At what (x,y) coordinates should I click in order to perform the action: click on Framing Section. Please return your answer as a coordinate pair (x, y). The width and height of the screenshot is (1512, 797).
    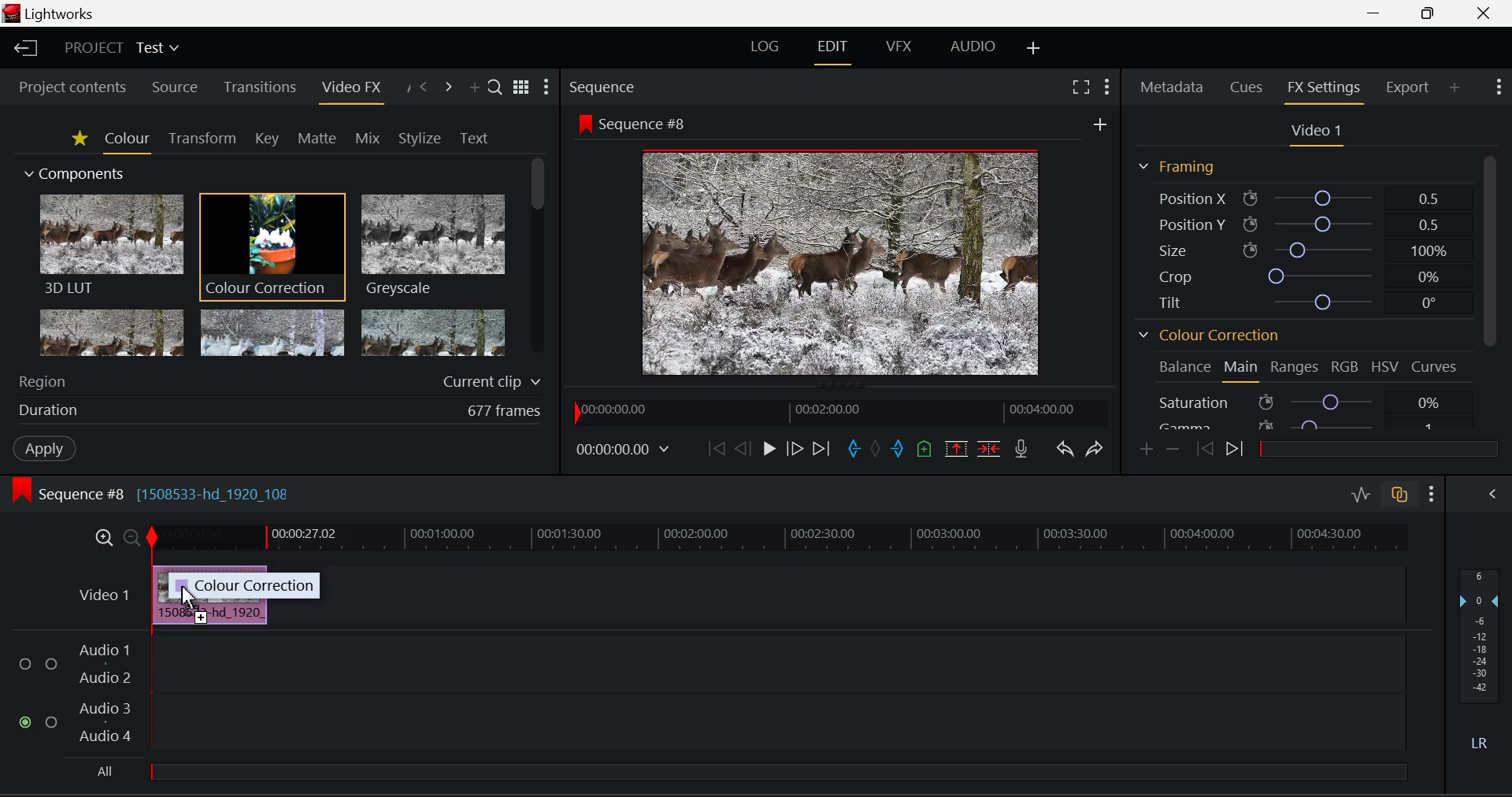
    Looking at the image, I should click on (1177, 168).